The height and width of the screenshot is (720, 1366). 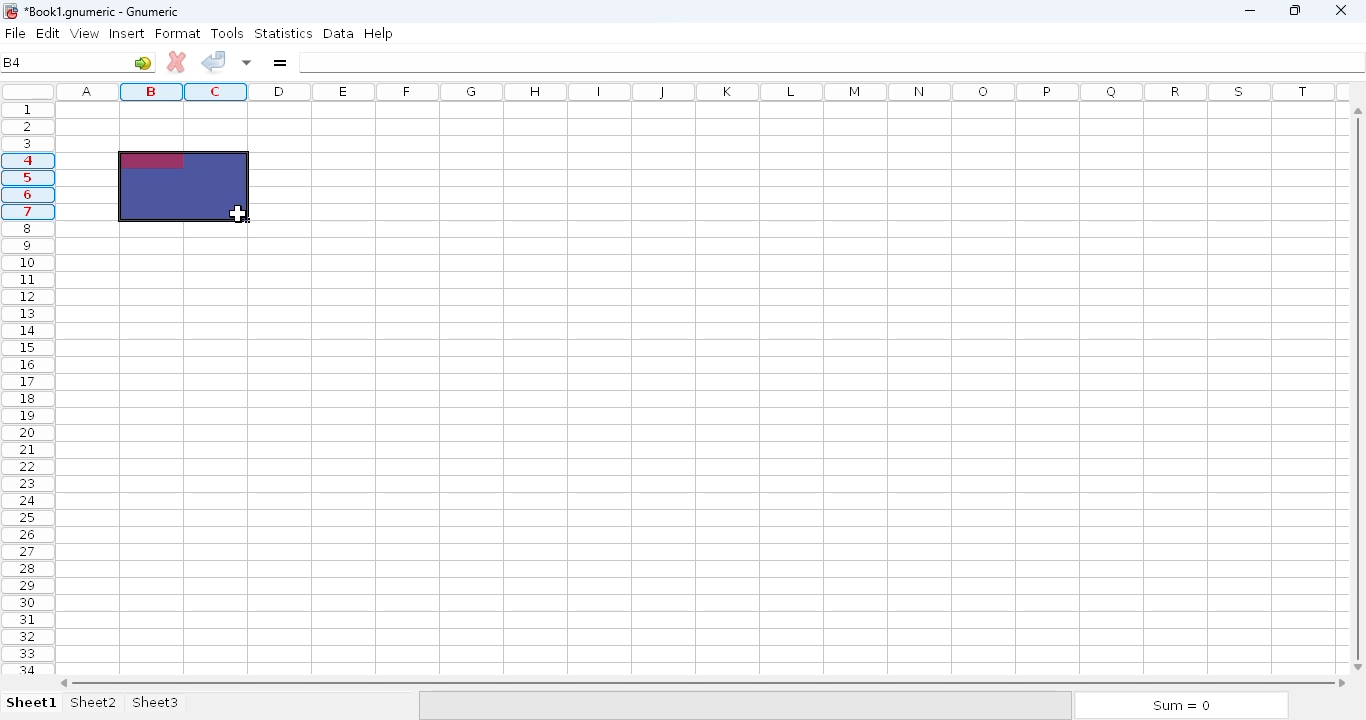 What do you see at coordinates (378, 34) in the screenshot?
I see `help` at bounding box center [378, 34].